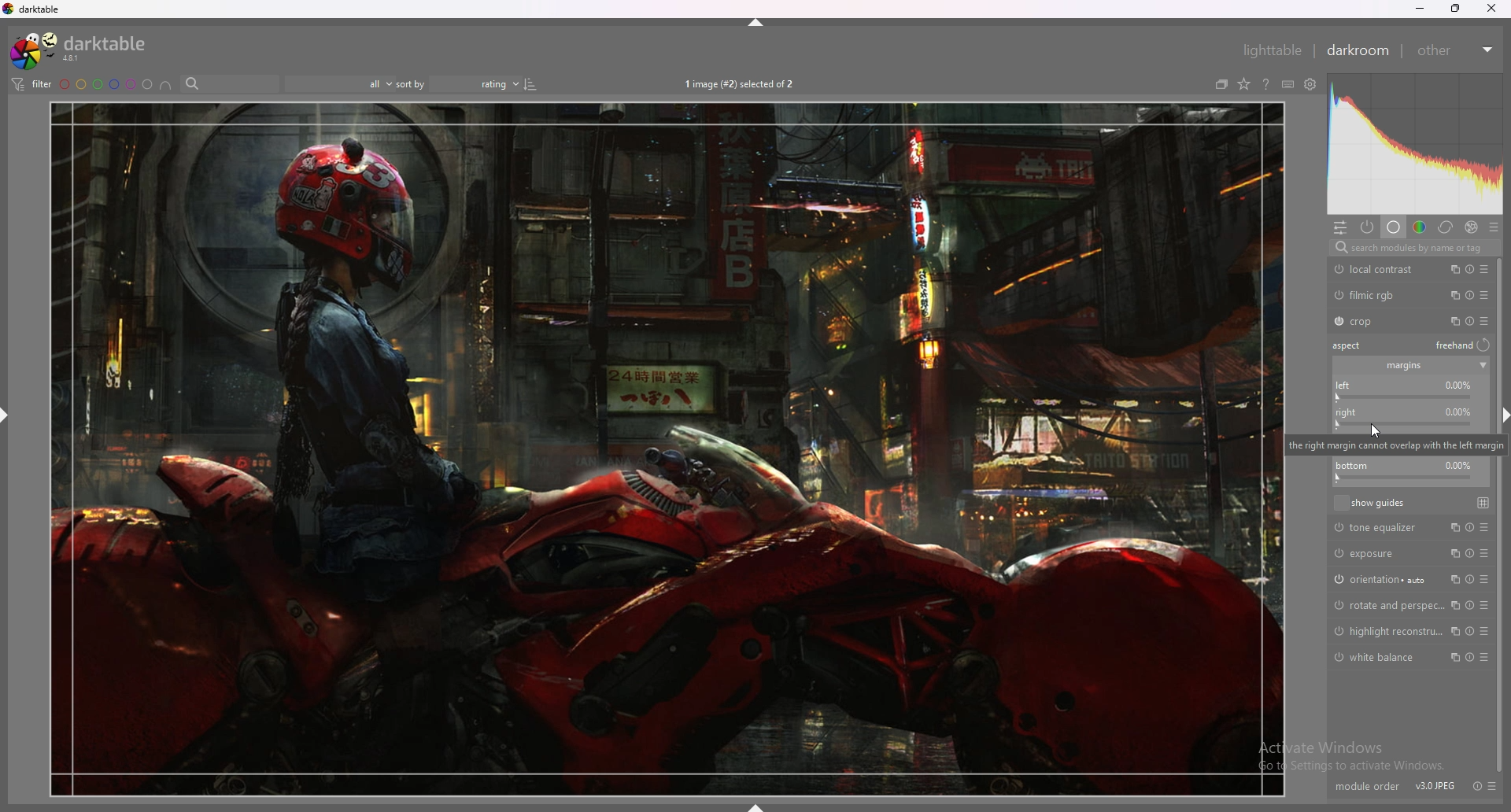 The height and width of the screenshot is (812, 1511). What do you see at coordinates (1434, 776) in the screenshot?
I see `V30IPEG` at bounding box center [1434, 776].